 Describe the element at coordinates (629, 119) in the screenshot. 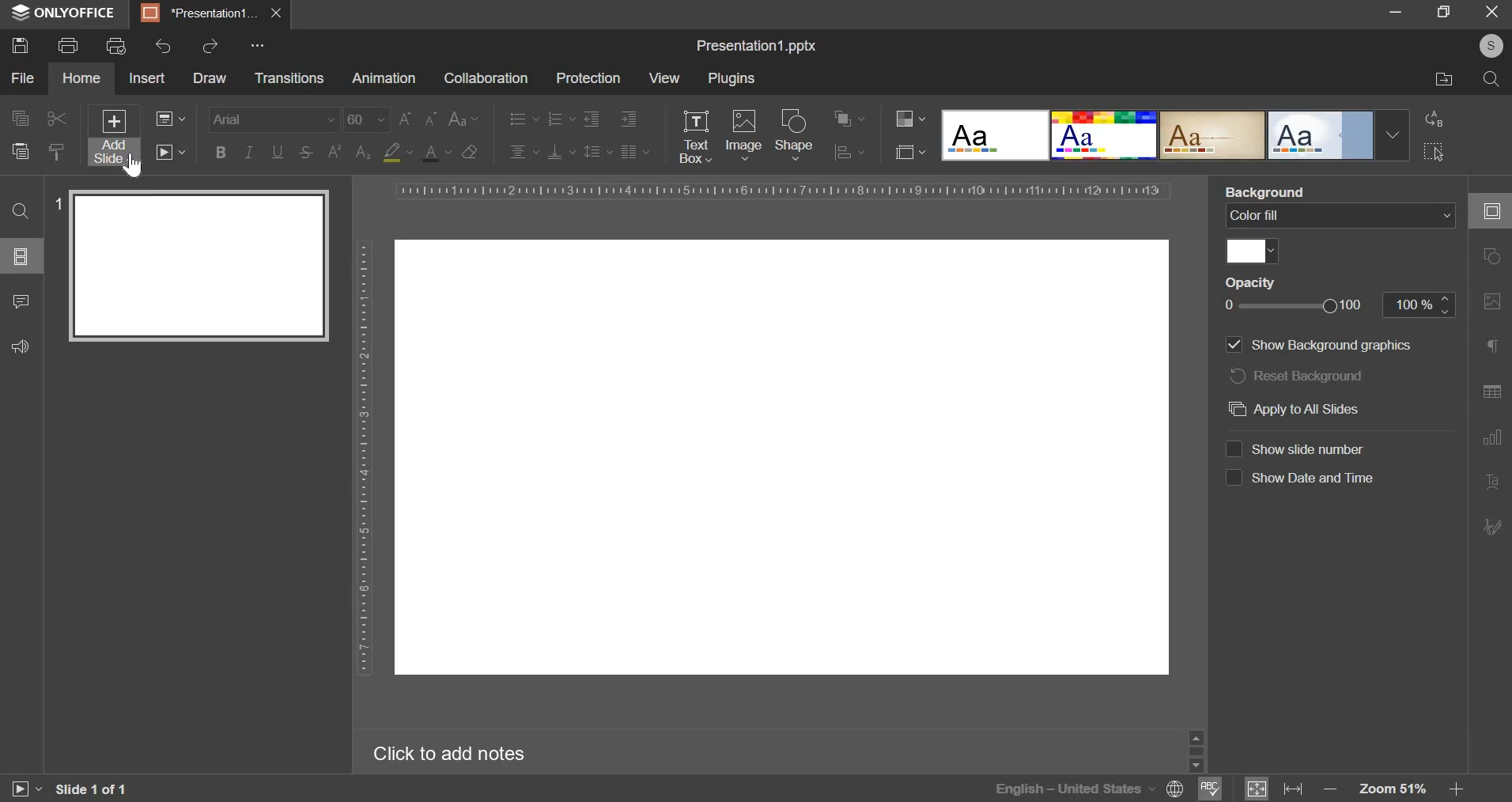

I see `increase indent` at that location.